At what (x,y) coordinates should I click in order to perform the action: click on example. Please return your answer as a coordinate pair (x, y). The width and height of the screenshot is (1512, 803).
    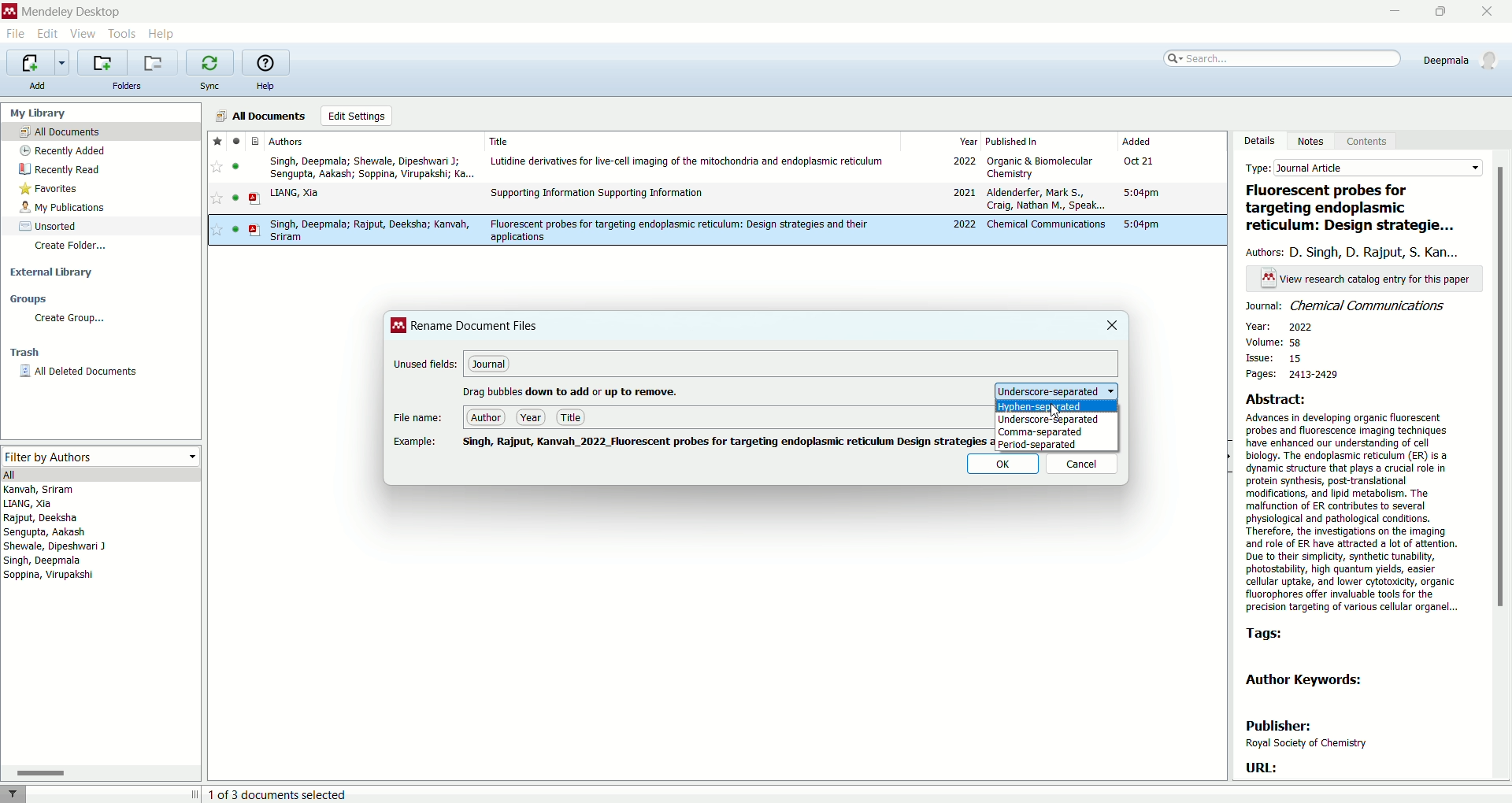
    Looking at the image, I should click on (418, 442).